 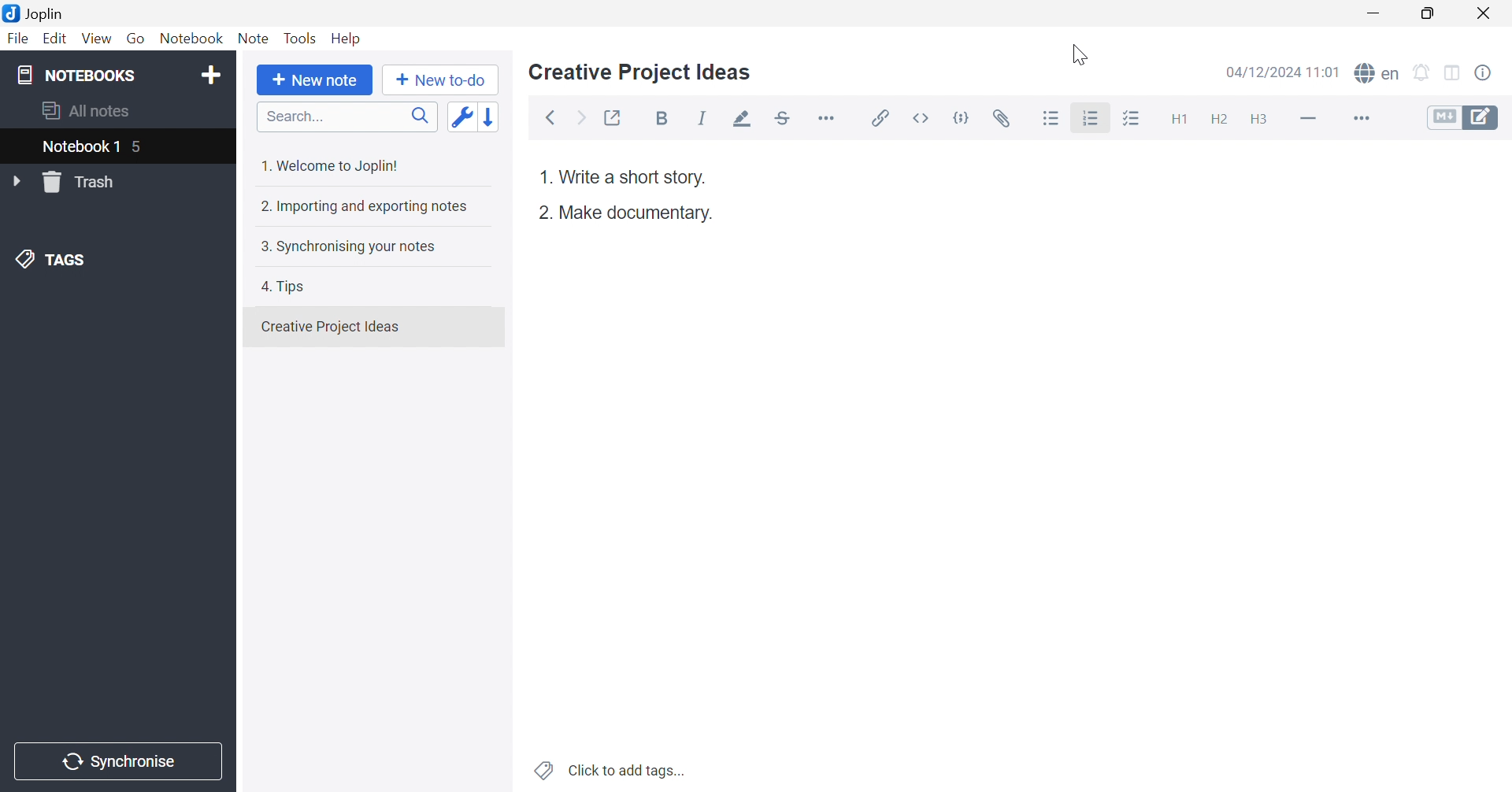 What do you see at coordinates (442, 80) in the screenshot?
I see `New to-do` at bounding box center [442, 80].